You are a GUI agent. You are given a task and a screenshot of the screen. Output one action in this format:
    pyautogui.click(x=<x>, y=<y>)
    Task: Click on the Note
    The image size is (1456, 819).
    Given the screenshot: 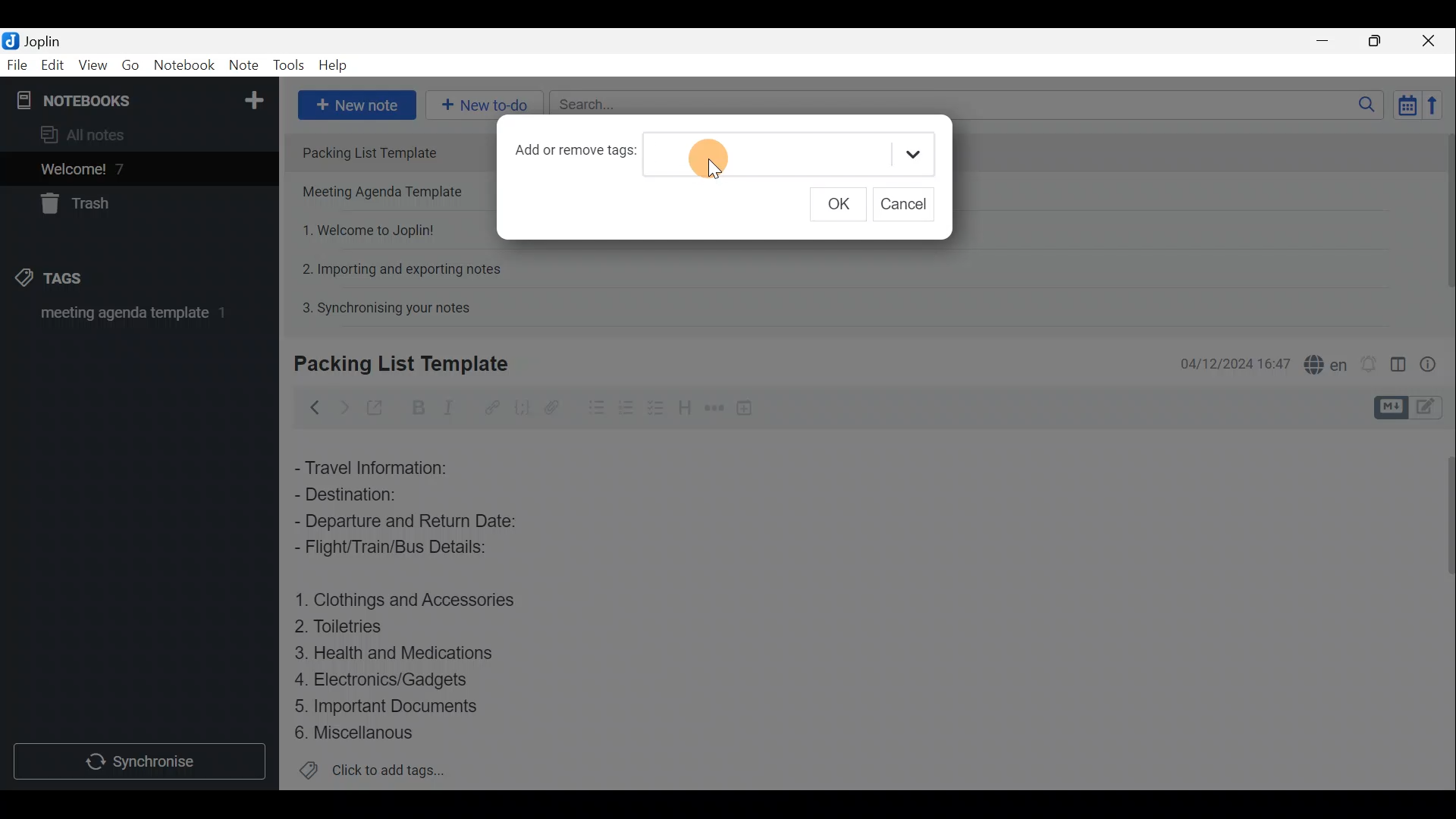 What is the action you would take?
    pyautogui.click(x=243, y=66)
    